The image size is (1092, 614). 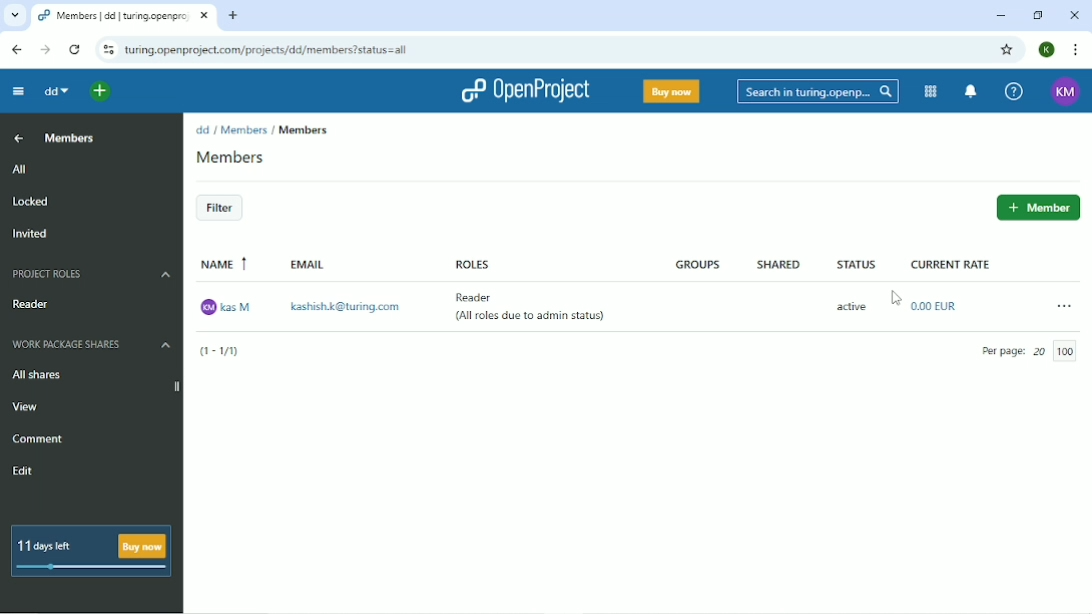 What do you see at coordinates (1046, 50) in the screenshot?
I see `Account` at bounding box center [1046, 50].